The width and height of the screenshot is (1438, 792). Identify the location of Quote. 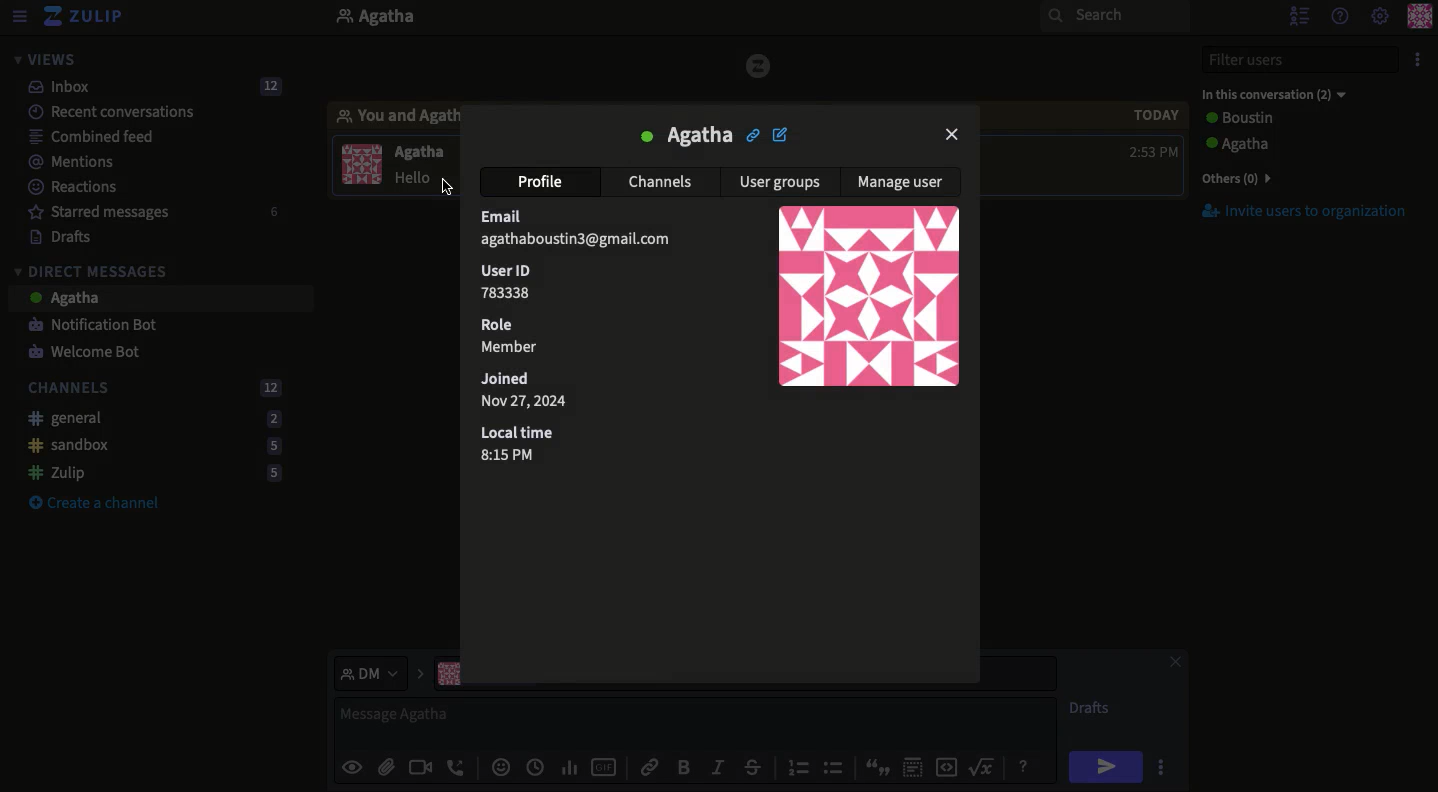
(880, 766).